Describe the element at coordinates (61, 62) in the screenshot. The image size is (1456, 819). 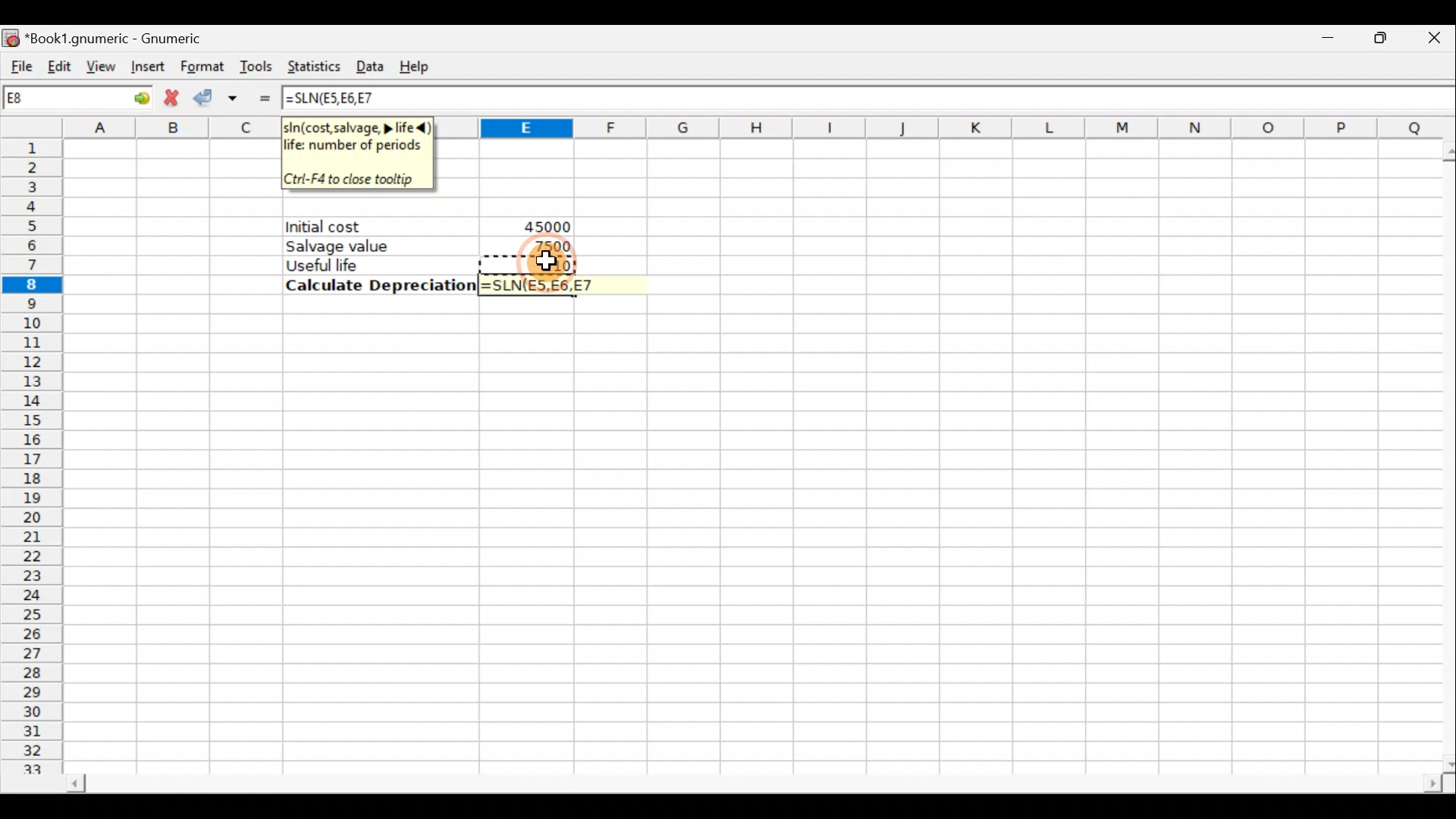
I see `Edit` at that location.